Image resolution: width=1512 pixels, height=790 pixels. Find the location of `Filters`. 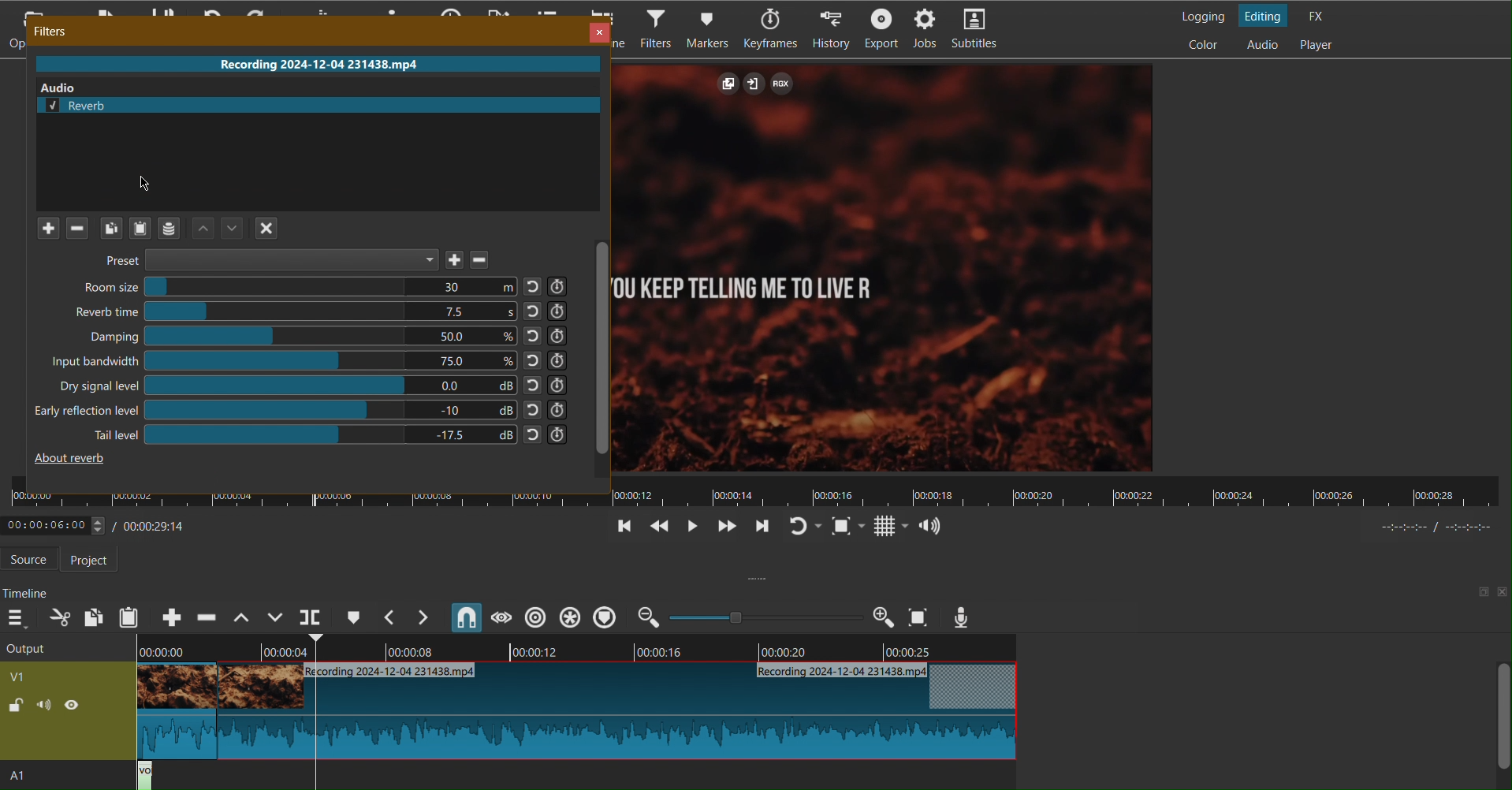

Filters is located at coordinates (655, 29).